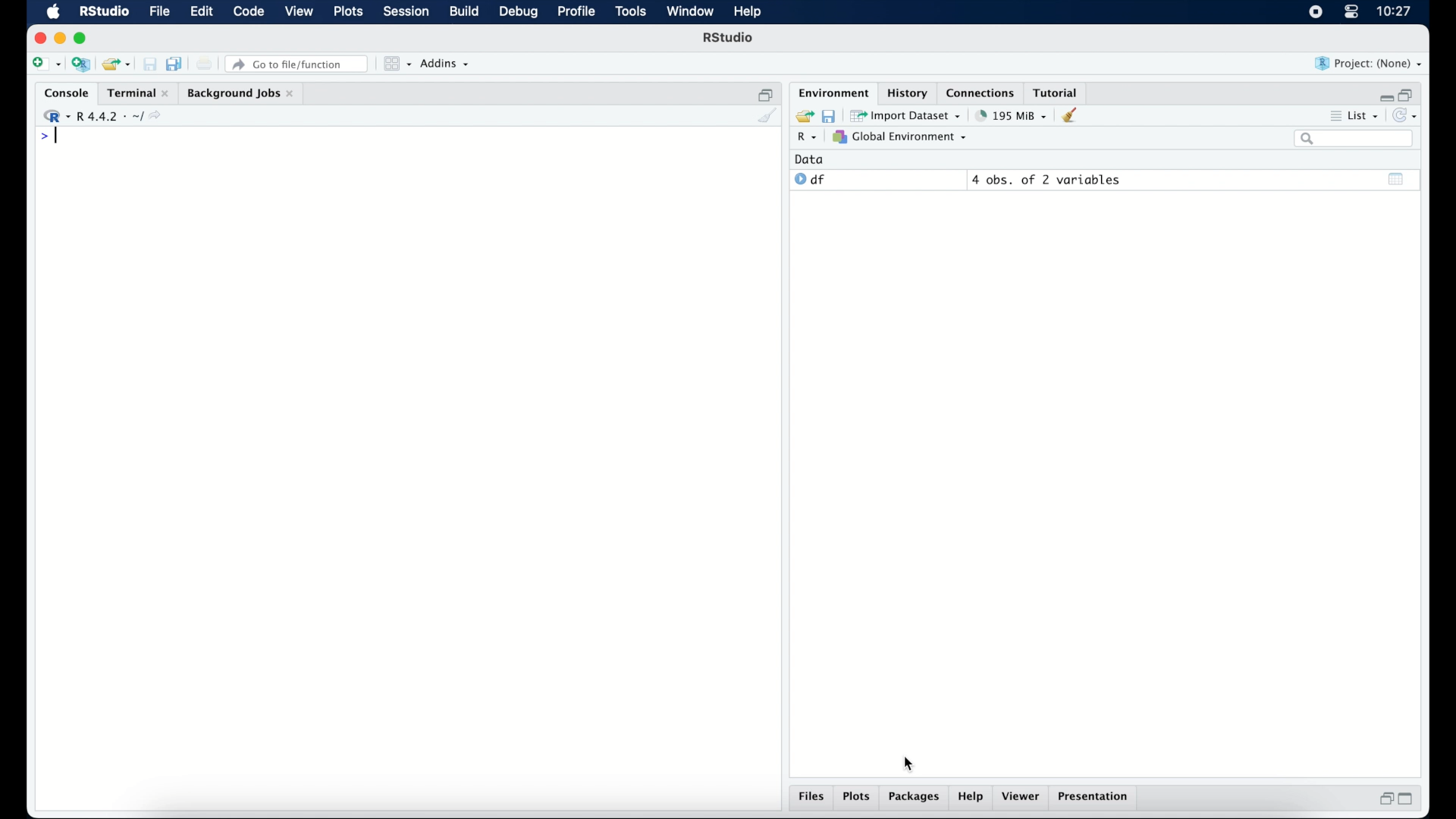  I want to click on clear console, so click(766, 117).